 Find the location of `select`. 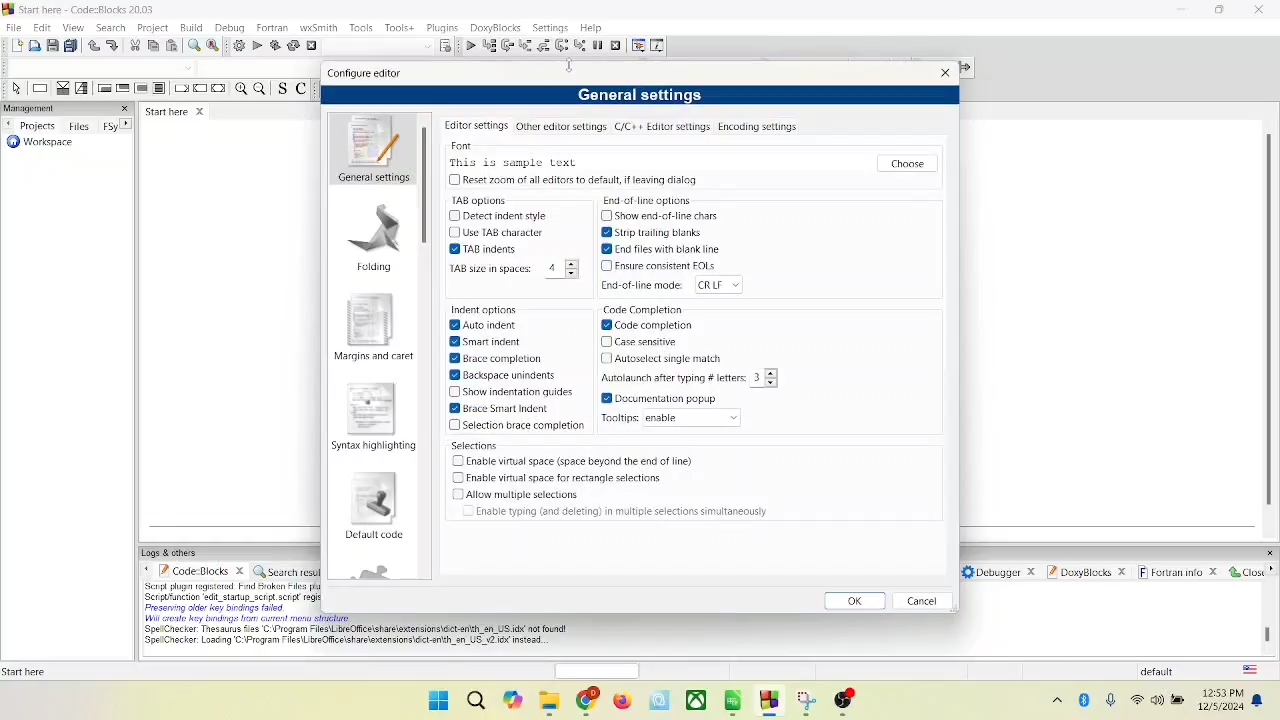

select is located at coordinates (17, 89).